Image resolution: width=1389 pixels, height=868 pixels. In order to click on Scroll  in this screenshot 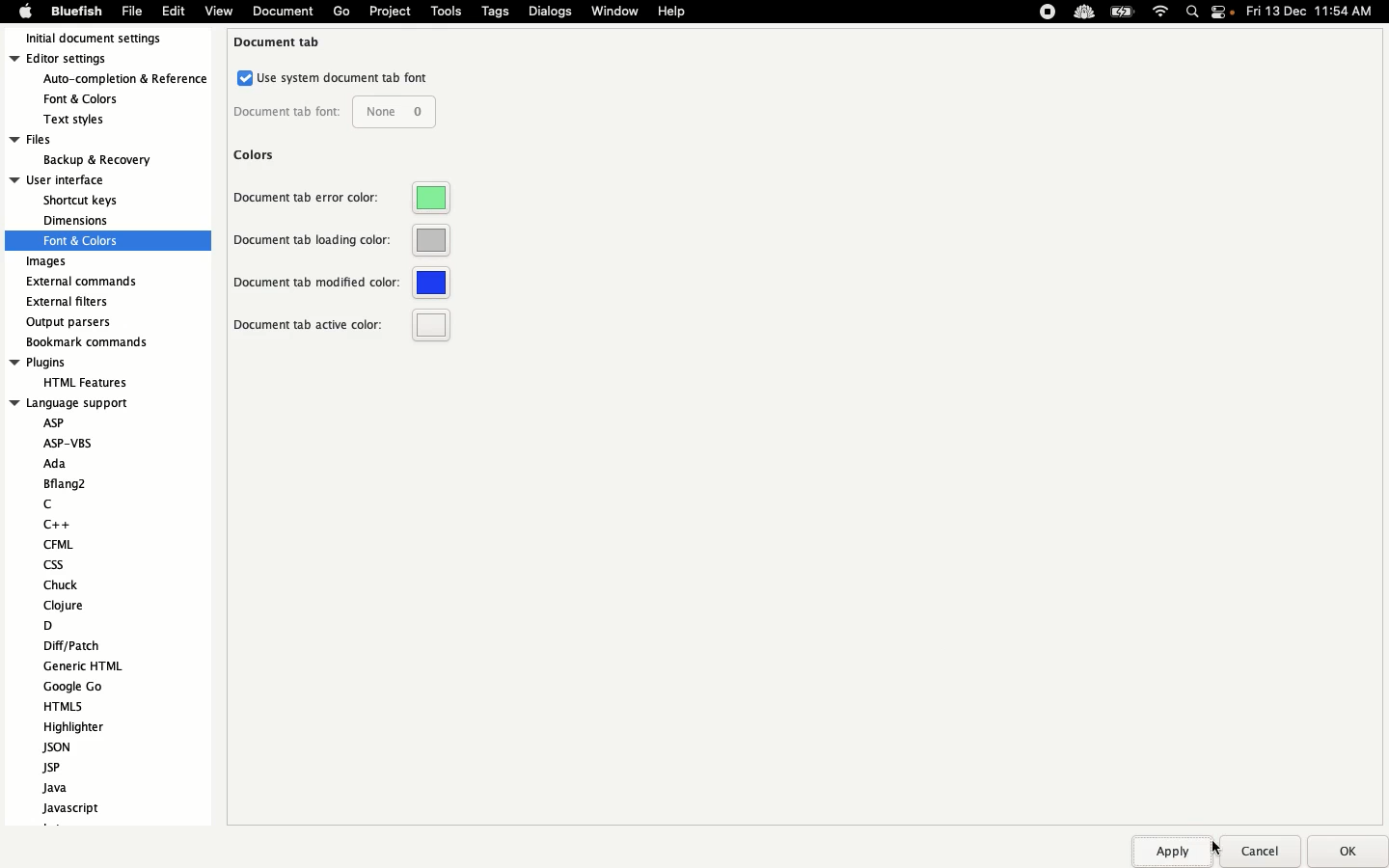, I will do `click(204, 322)`.